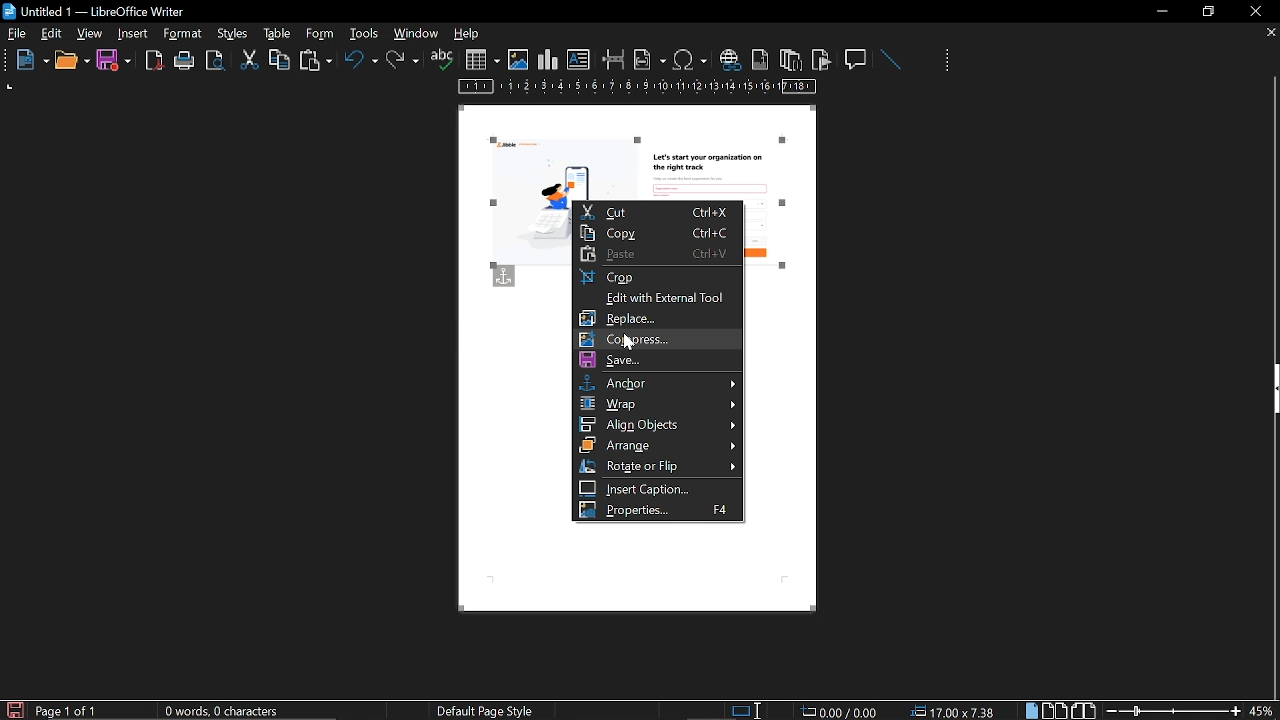 This screenshot has width=1280, height=720. What do you see at coordinates (442, 60) in the screenshot?
I see `spelling` at bounding box center [442, 60].